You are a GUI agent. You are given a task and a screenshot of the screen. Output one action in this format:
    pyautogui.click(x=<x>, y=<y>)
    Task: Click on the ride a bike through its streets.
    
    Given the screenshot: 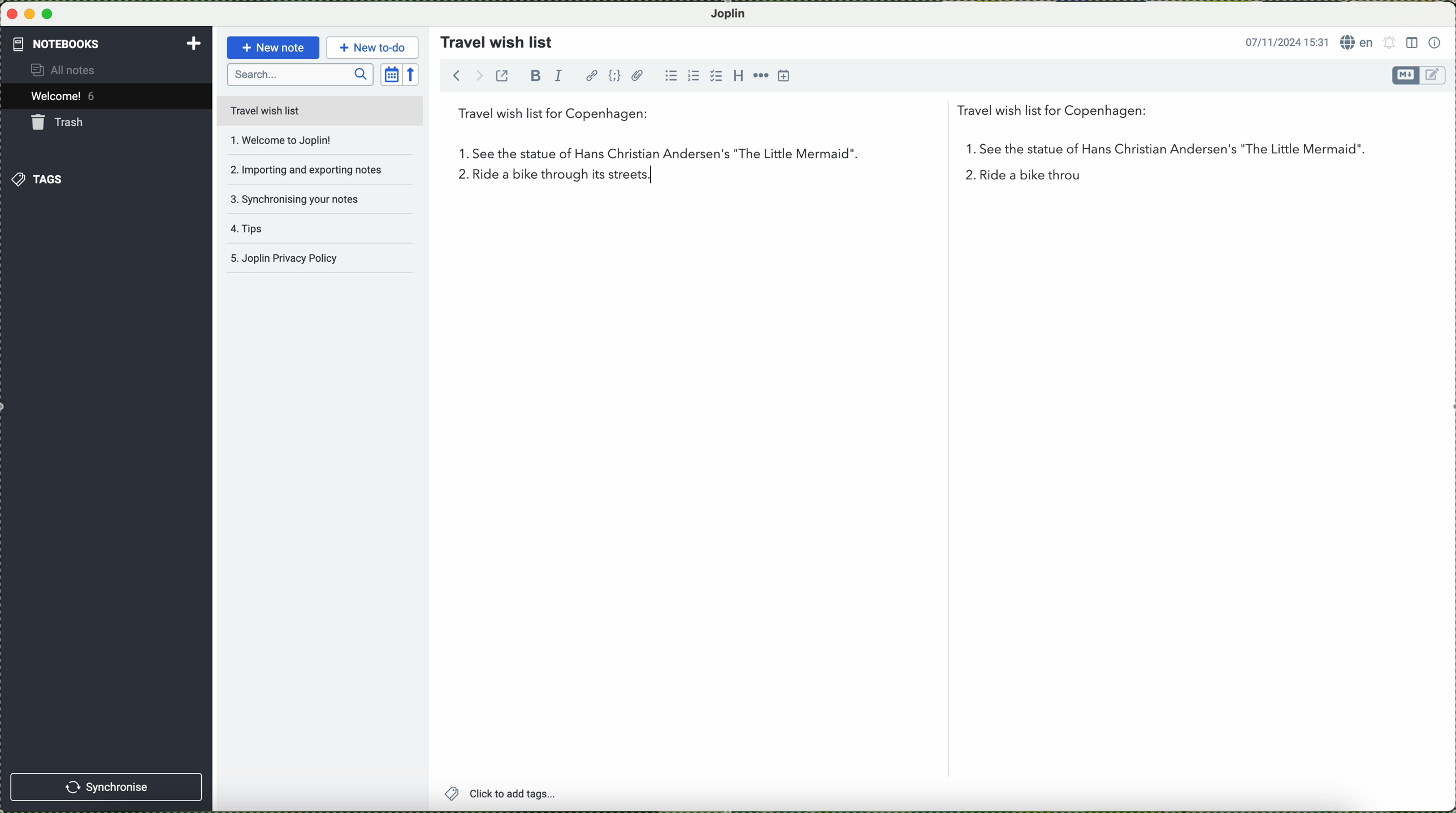 What is the action you would take?
    pyautogui.click(x=556, y=180)
    